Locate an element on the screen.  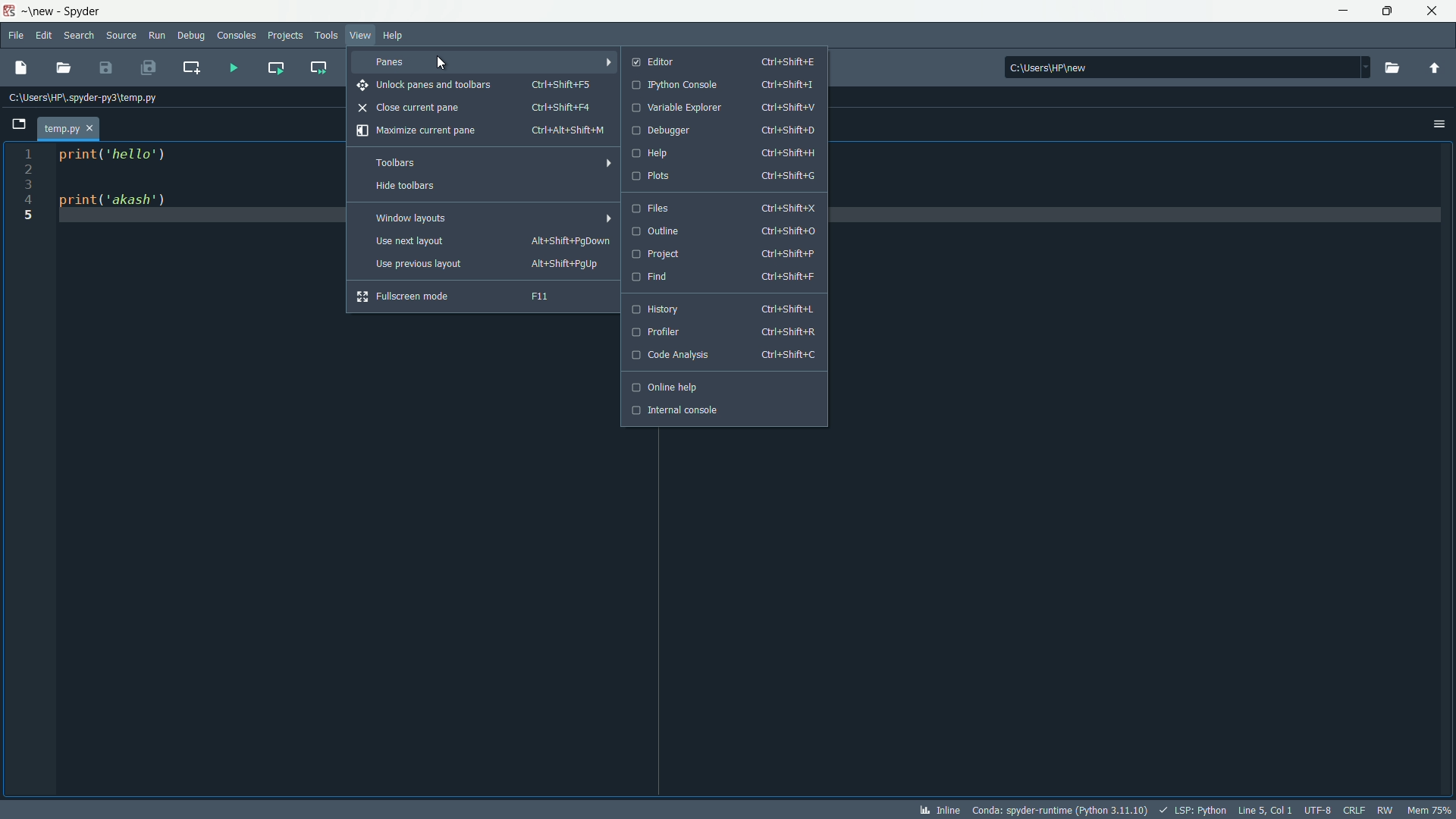
mem 73% is located at coordinates (1429, 810).